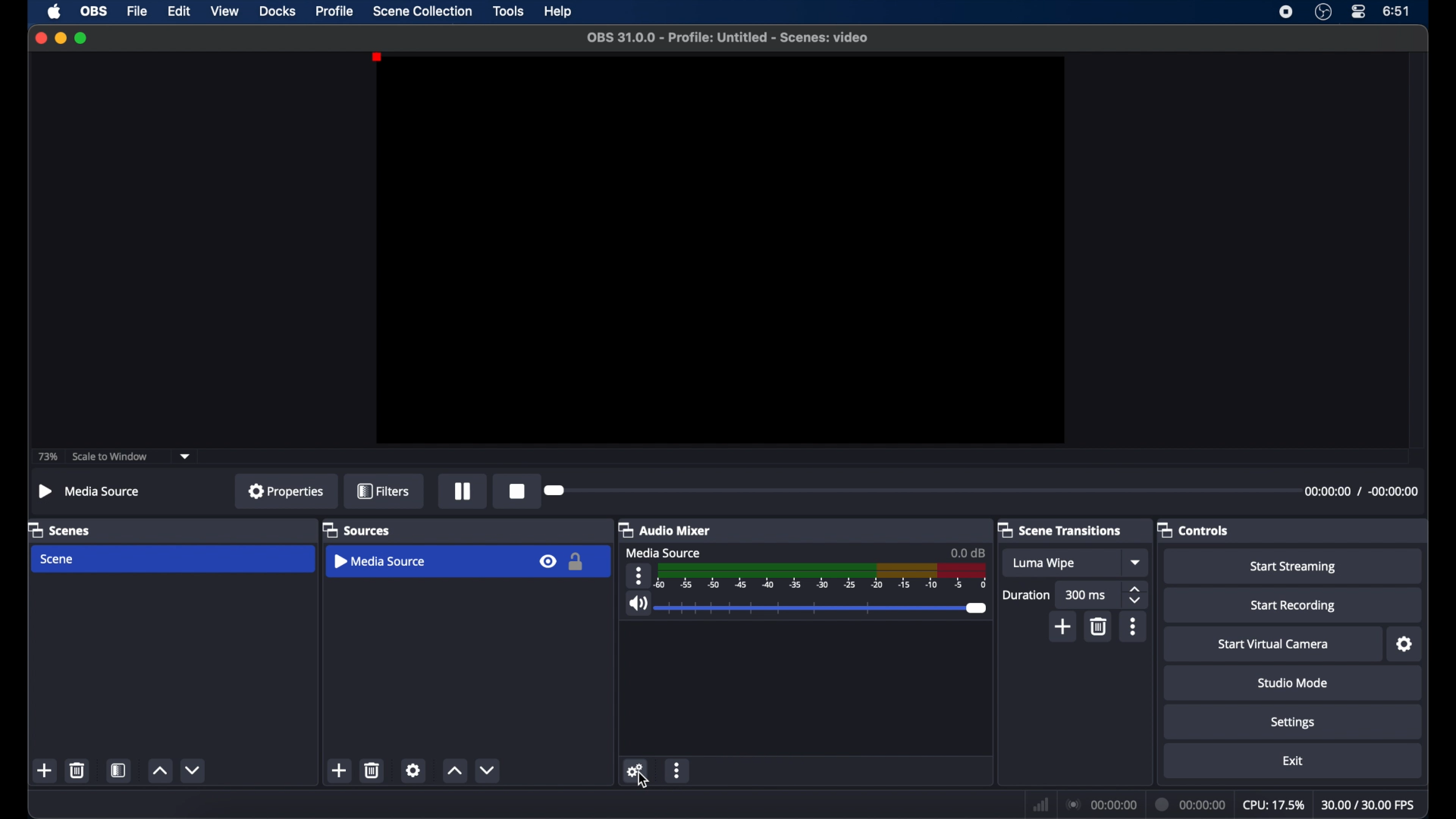 The height and width of the screenshot is (819, 1456). I want to click on media source, so click(89, 491).